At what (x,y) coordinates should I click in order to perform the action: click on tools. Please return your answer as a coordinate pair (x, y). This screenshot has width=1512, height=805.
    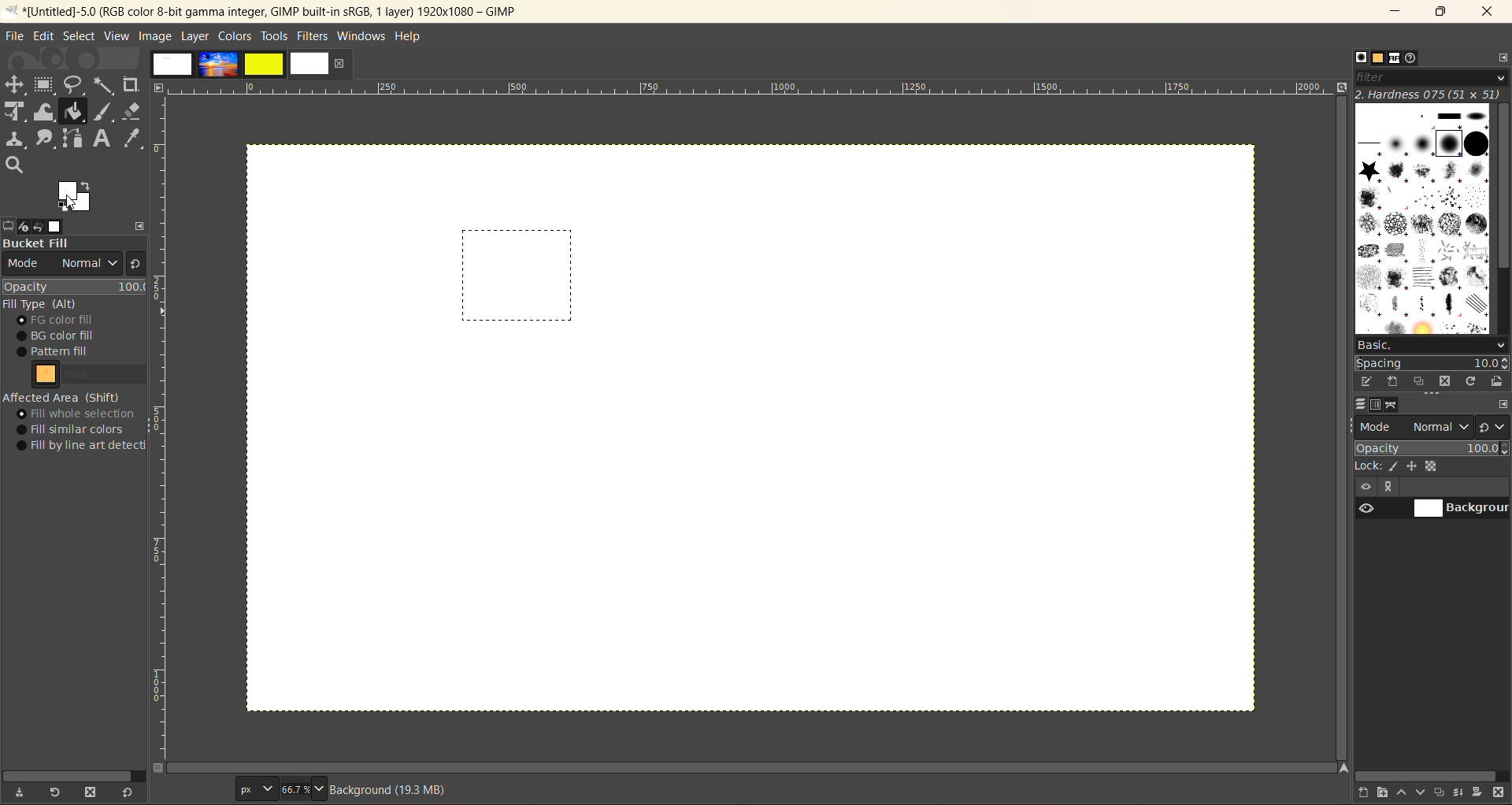
    Looking at the image, I should click on (72, 123).